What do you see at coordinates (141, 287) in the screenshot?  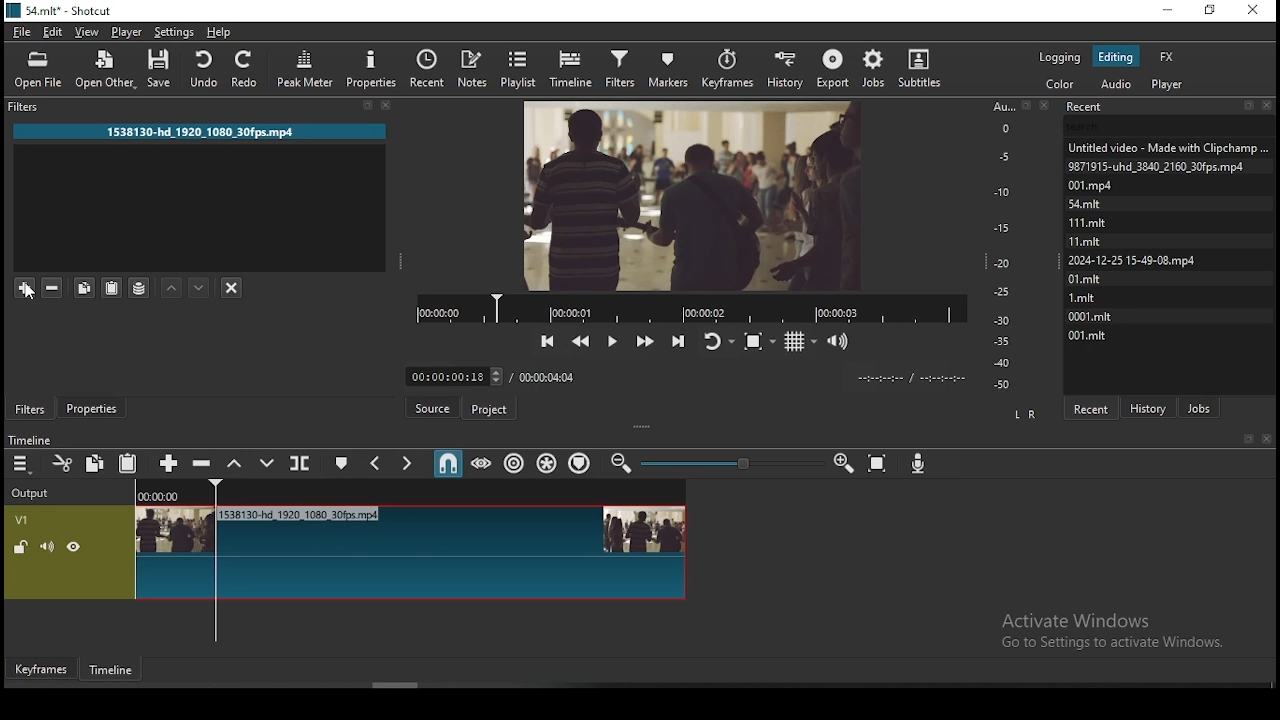 I see `save filter sets` at bounding box center [141, 287].